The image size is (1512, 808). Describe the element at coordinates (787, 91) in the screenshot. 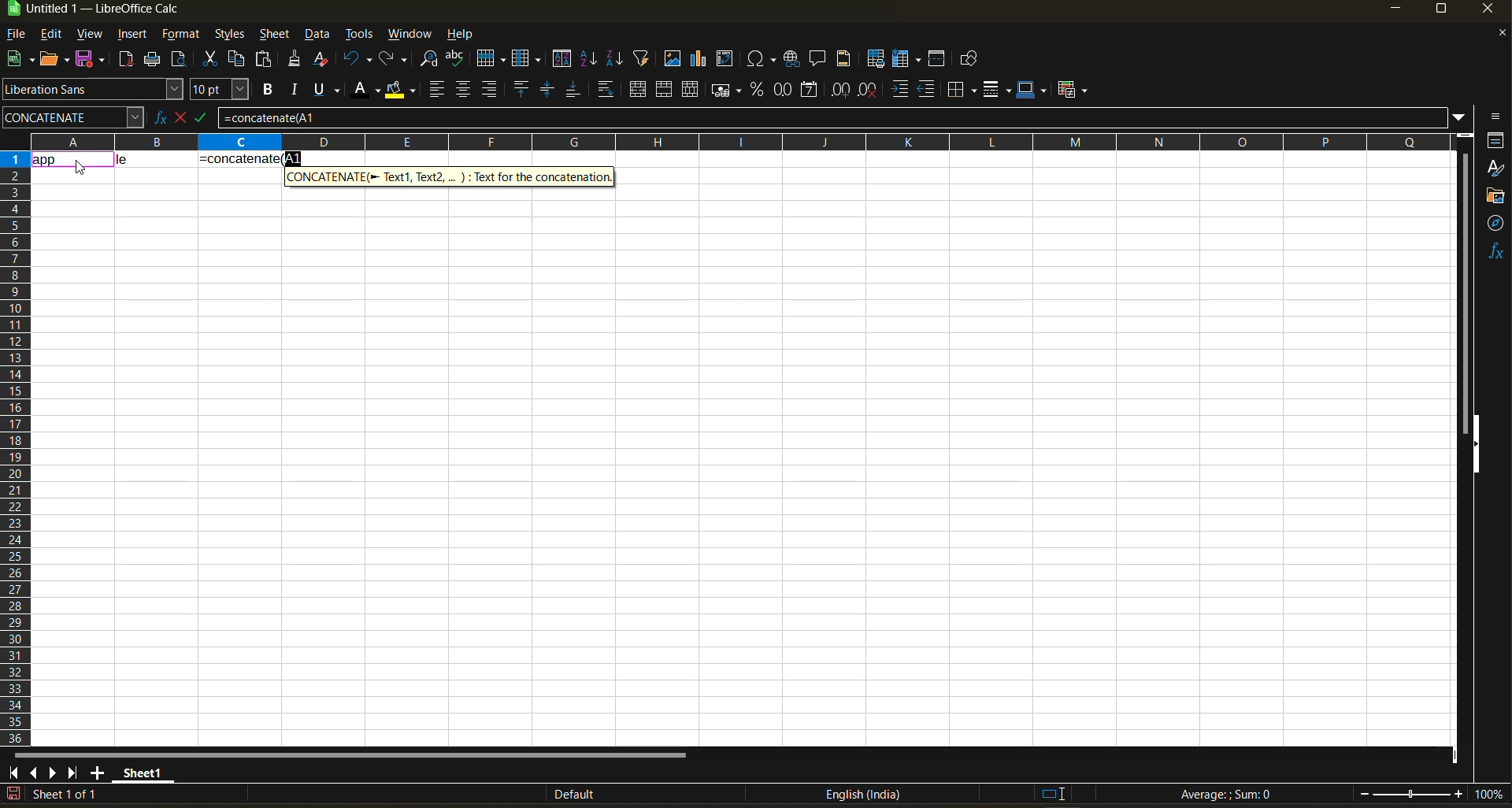

I see `format as number` at that location.